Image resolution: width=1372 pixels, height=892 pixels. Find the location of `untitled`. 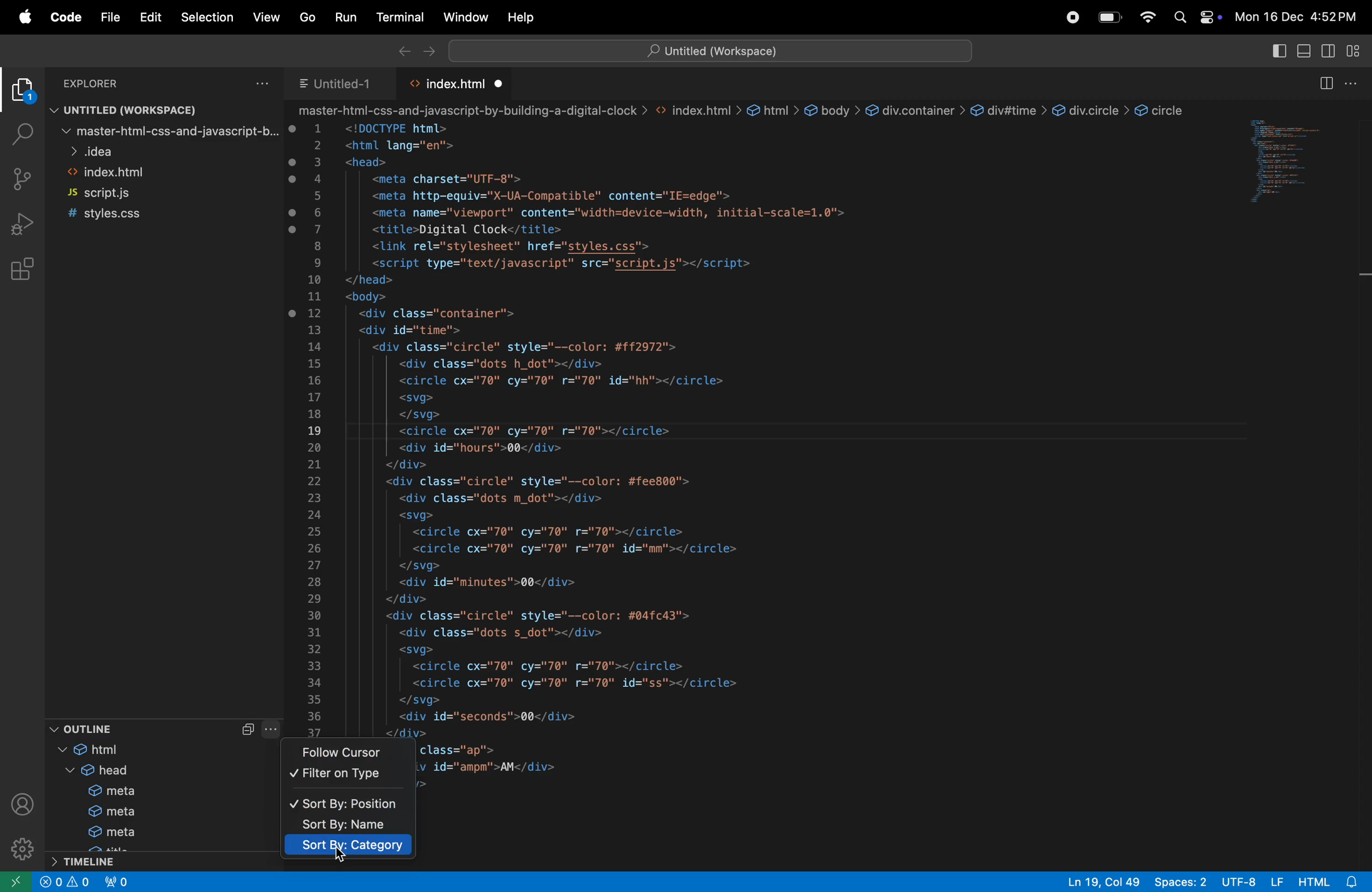

untitled is located at coordinates (342, 86).